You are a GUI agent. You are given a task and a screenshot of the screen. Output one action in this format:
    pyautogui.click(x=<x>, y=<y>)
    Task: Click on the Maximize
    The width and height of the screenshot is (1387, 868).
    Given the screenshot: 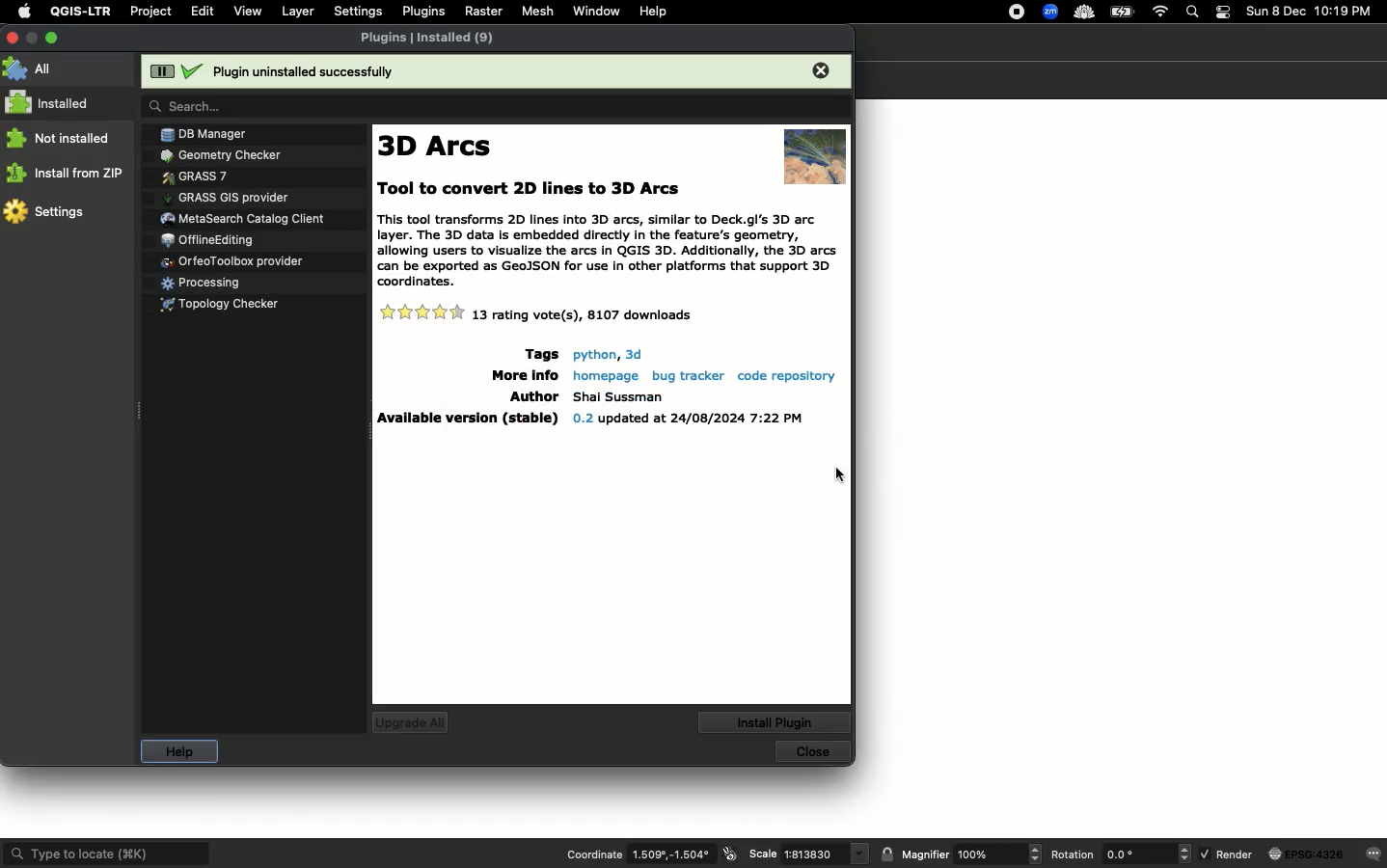 What is the action you would take?
    pyautogui.click(x=53, y=37)
    